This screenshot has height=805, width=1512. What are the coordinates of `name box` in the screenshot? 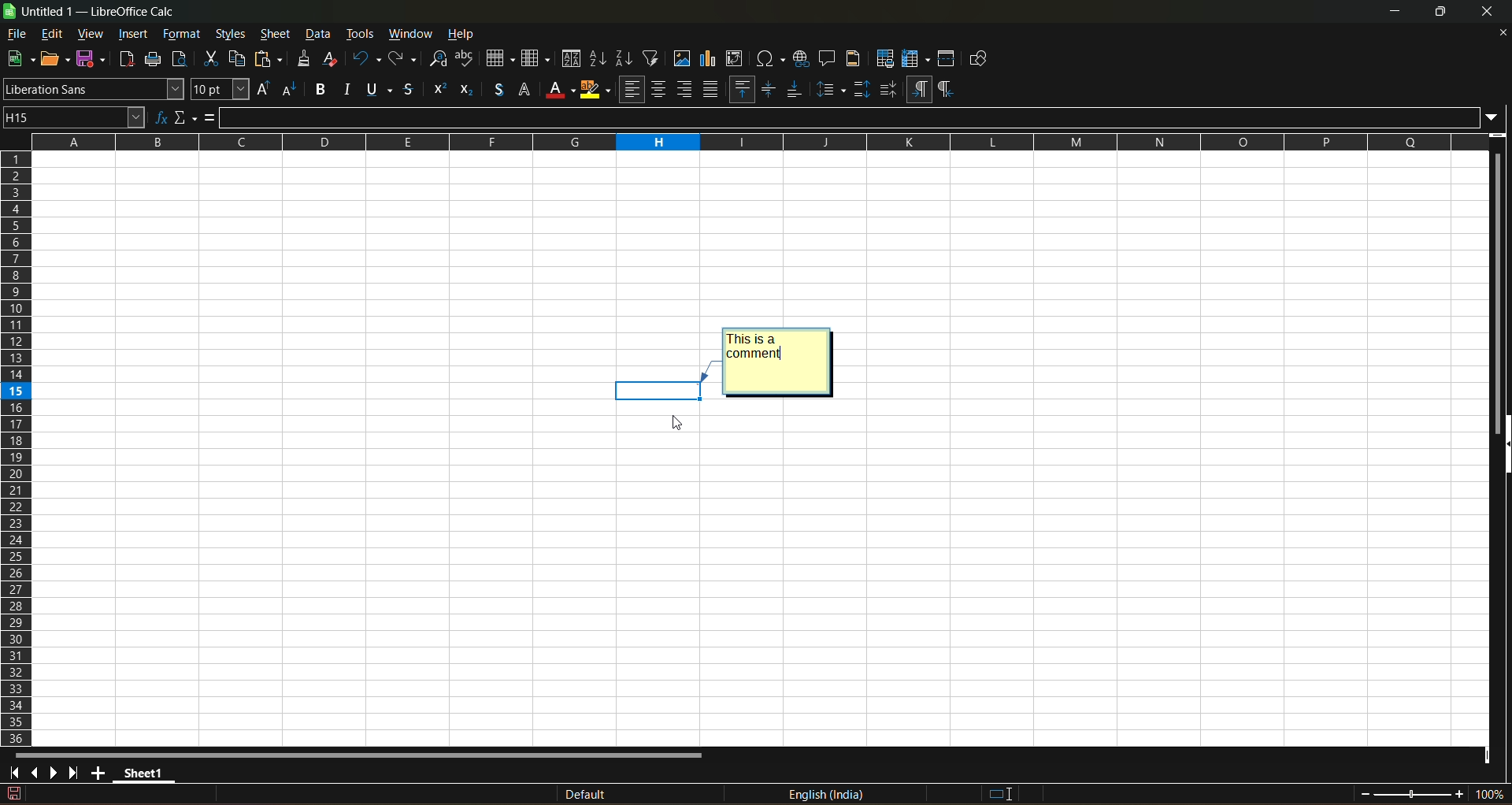 It's located at (75, 117).